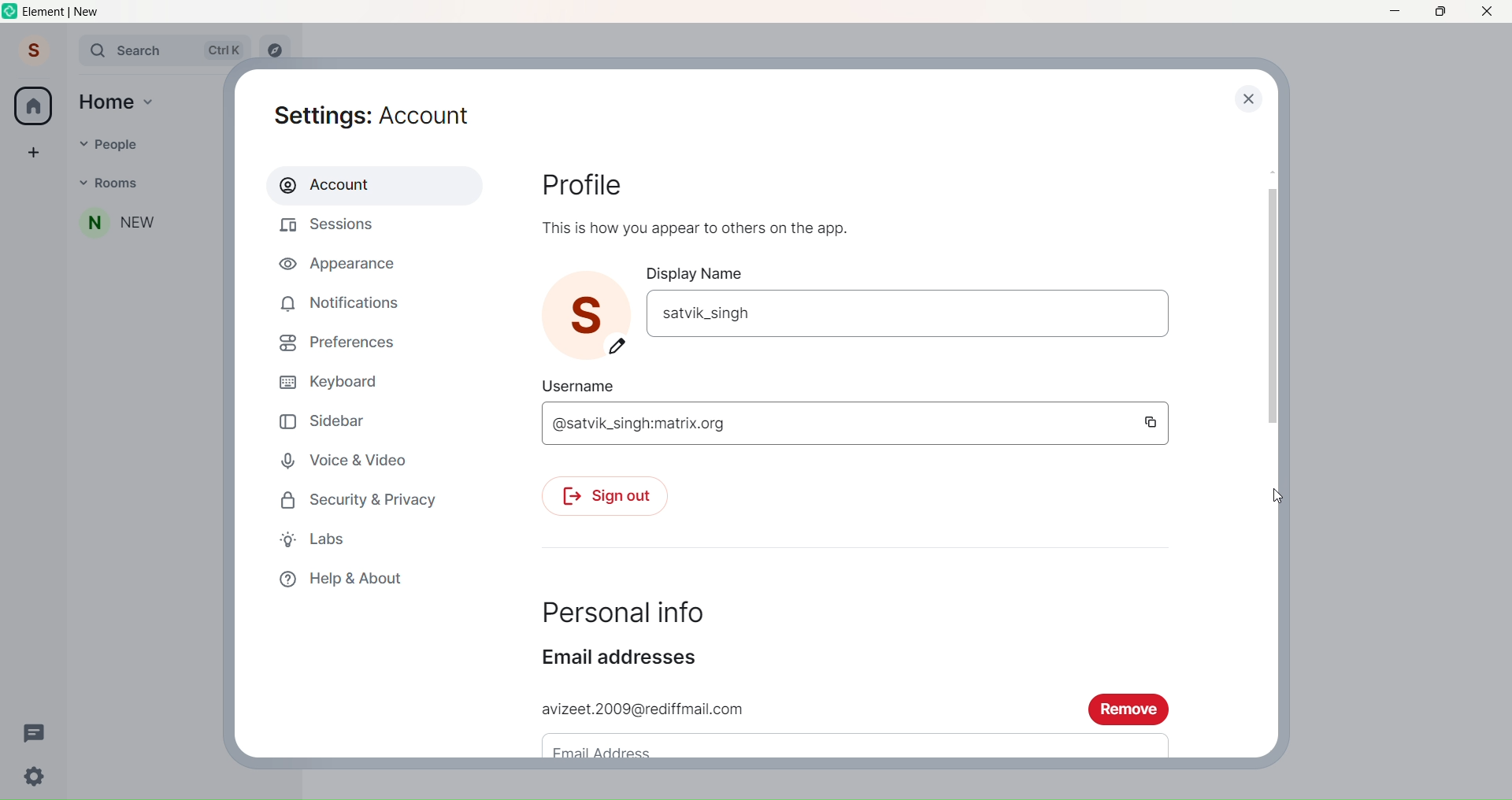 Image resolution: width=1512 pixels, height=800 pixels. Describe the element at coordinates (150, 100) in the screenshot. I see `Home dropdown` at that location.